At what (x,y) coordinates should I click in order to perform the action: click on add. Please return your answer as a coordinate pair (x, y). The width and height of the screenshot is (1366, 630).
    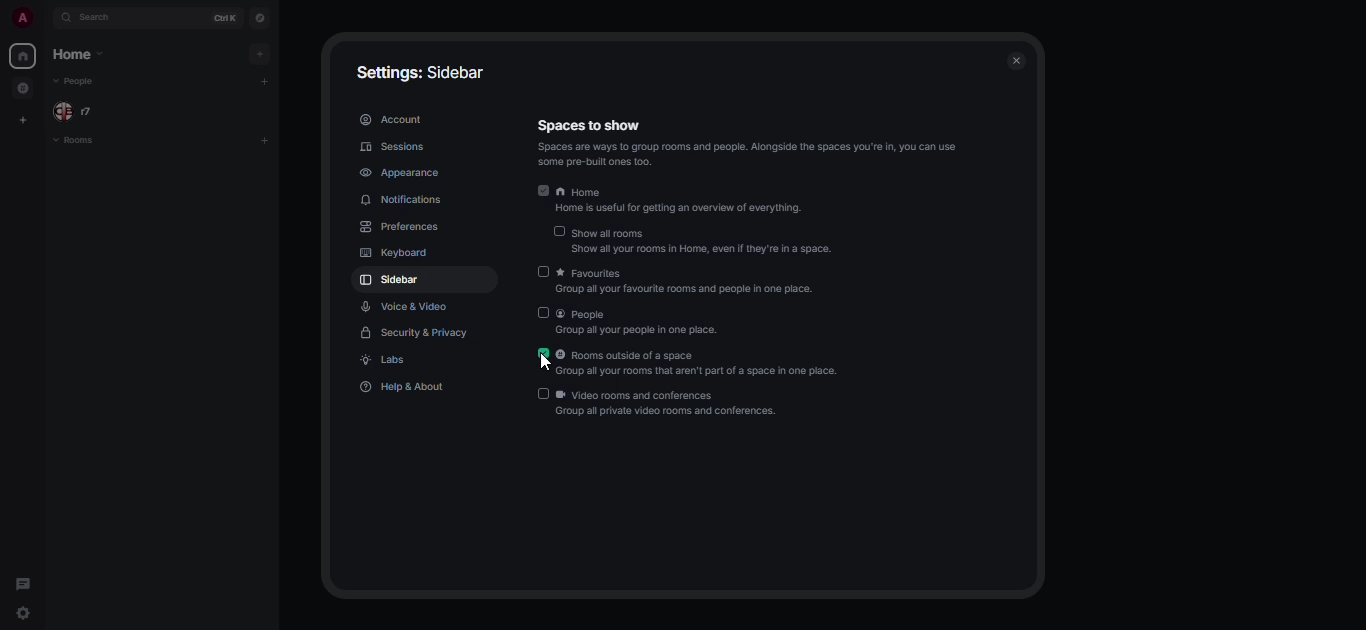
    Looking at the image, I should click on (256, 54).